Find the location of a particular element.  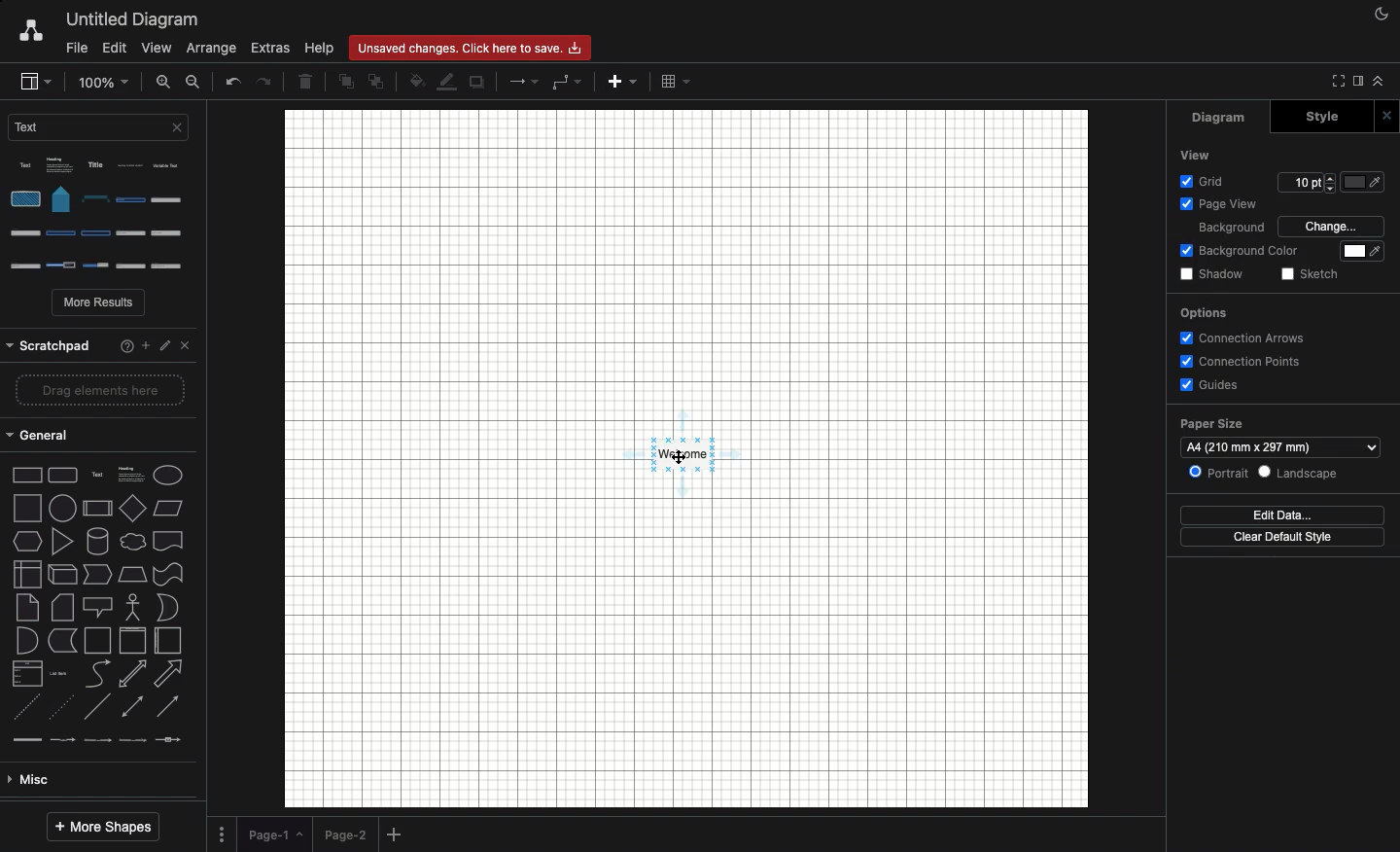

2d shapes is located at coordinates (99, 397).